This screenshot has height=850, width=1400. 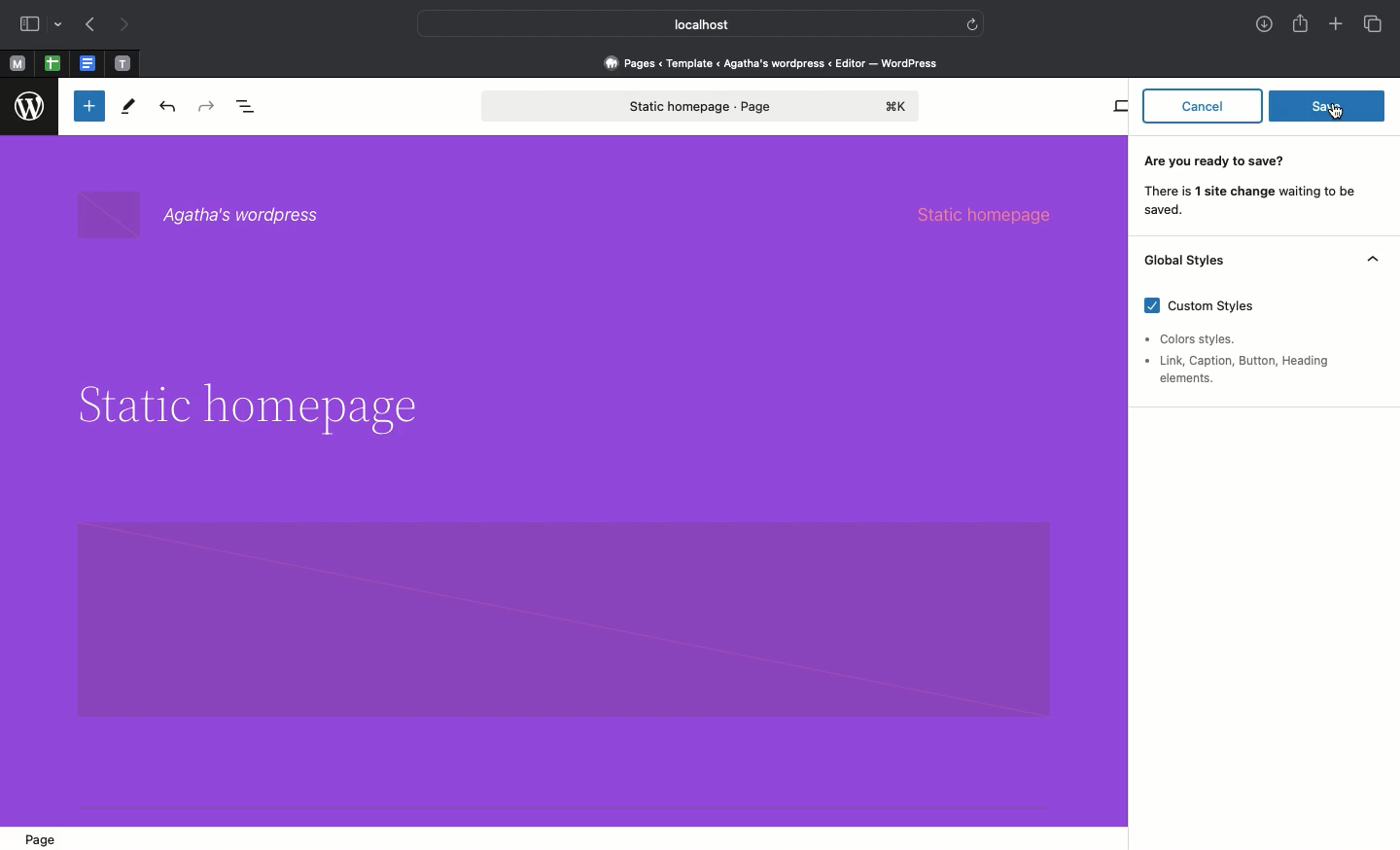 I want to click on Add new tab, so click(x=1338, y=26).